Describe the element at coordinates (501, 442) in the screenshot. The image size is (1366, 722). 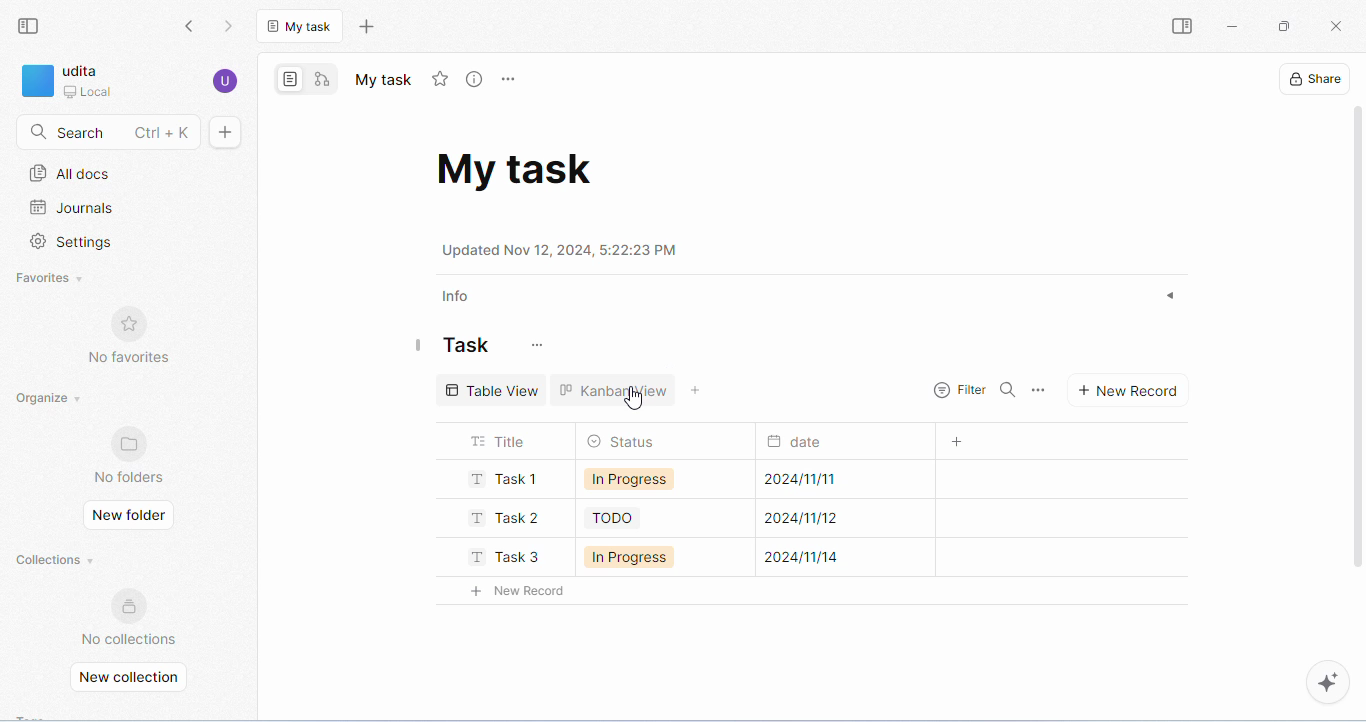
I see `title` at that location.